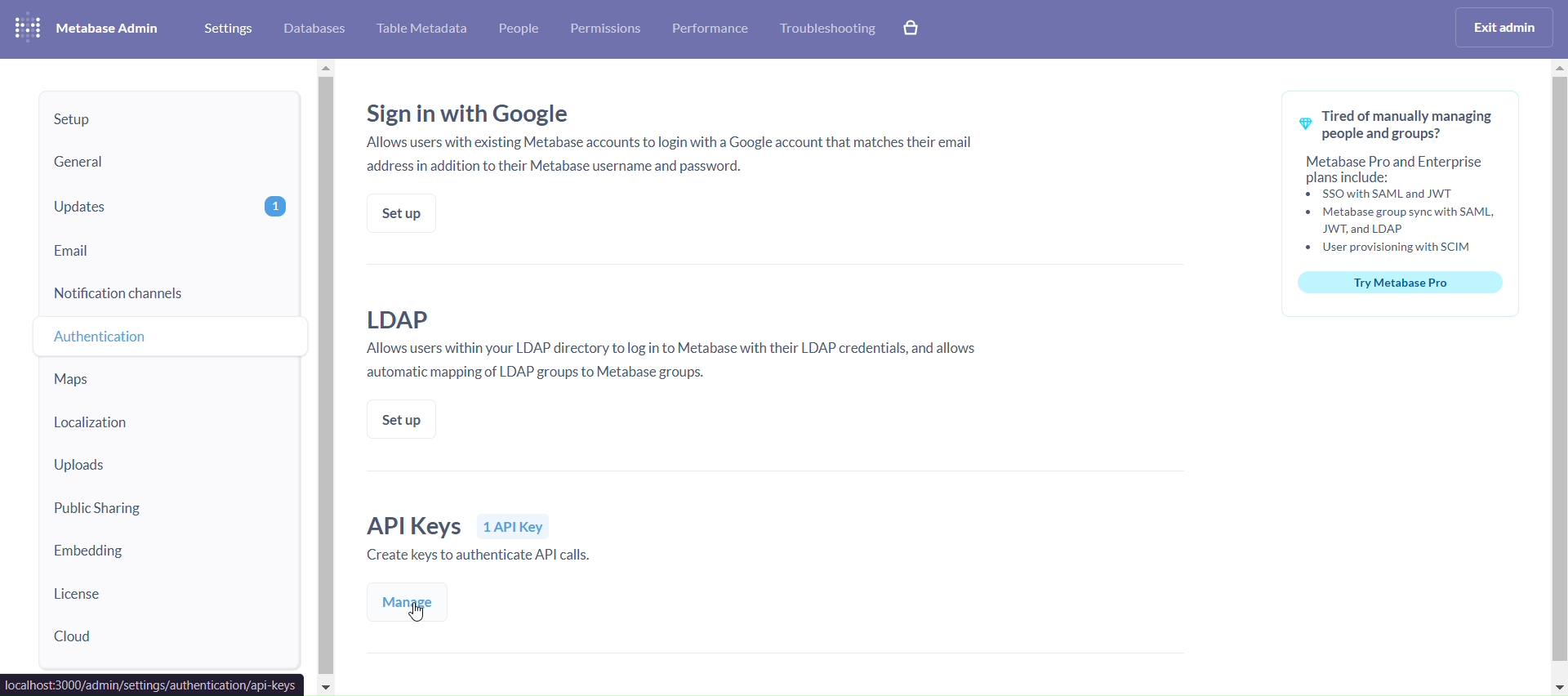  What do you see at coordinates (828, 30) in the screenshot?
I see `troubleshooting` at bounding box center [828, 30].